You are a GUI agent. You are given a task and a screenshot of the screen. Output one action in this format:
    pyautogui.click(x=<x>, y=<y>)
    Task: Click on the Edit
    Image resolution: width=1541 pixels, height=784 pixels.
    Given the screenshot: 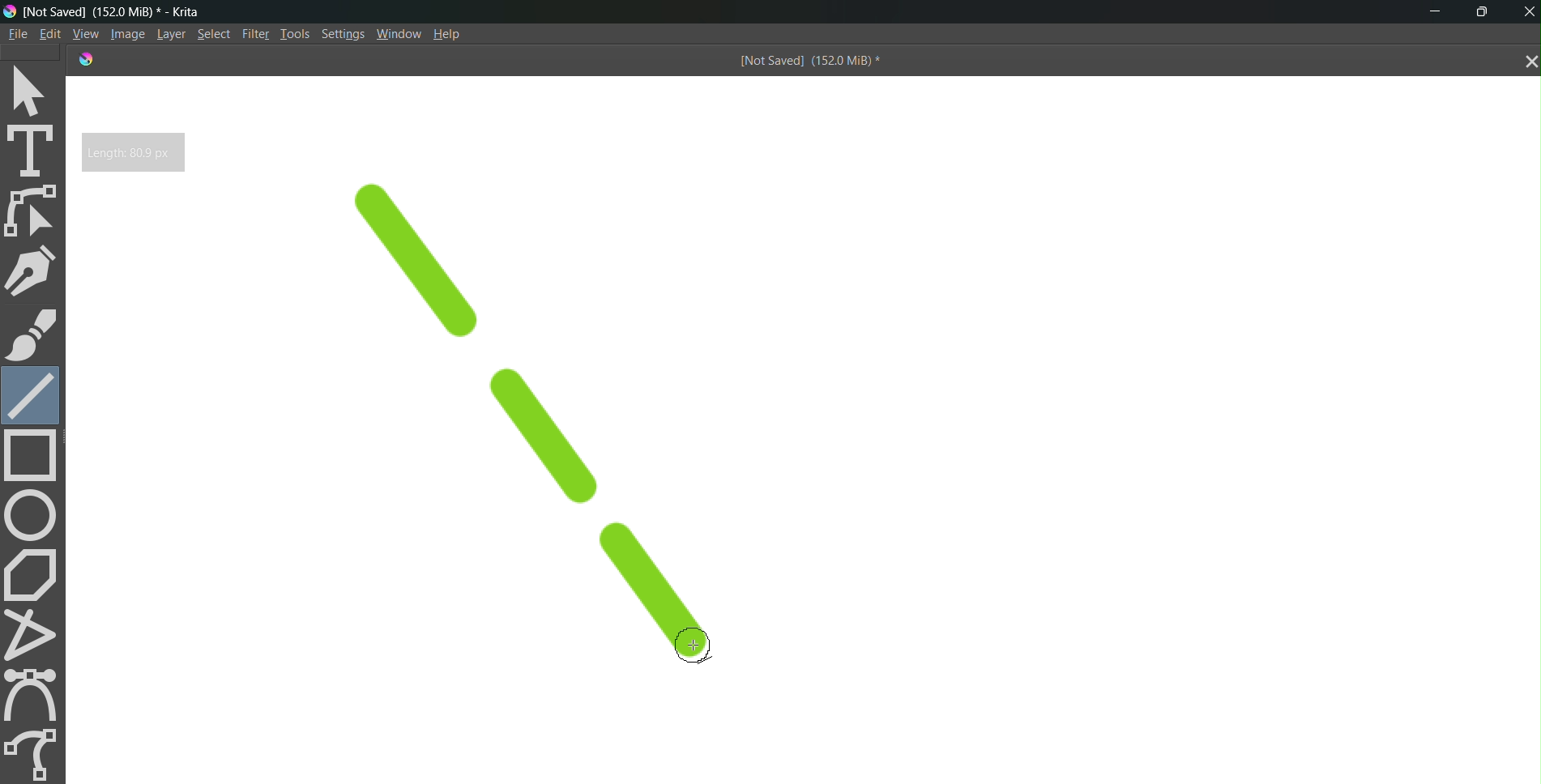 What is the action you would take?
    pyautogui.click(x=50, y=34)
    